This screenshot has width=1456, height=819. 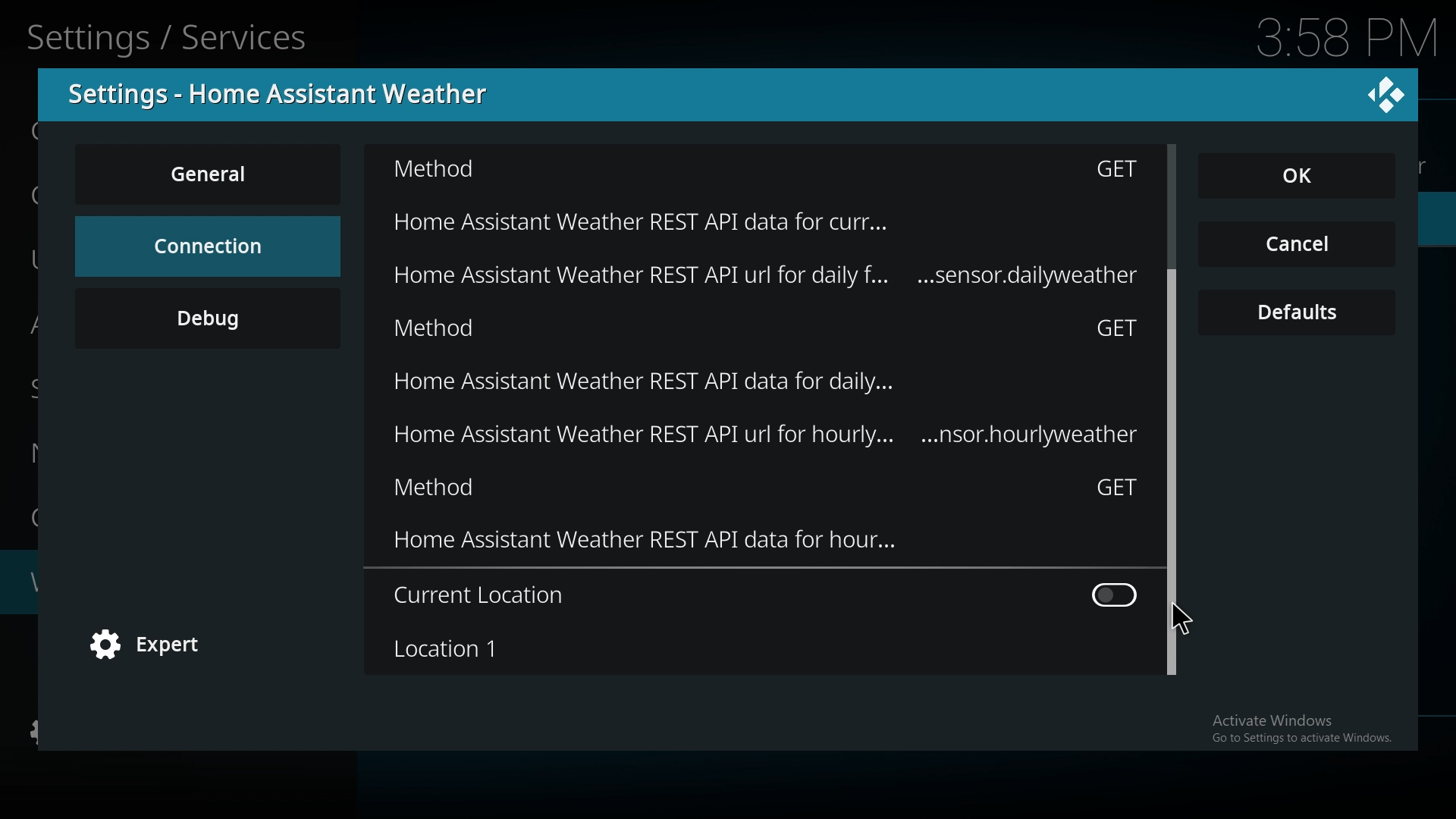 I want to click on Time, so click(x=1339, y=38).